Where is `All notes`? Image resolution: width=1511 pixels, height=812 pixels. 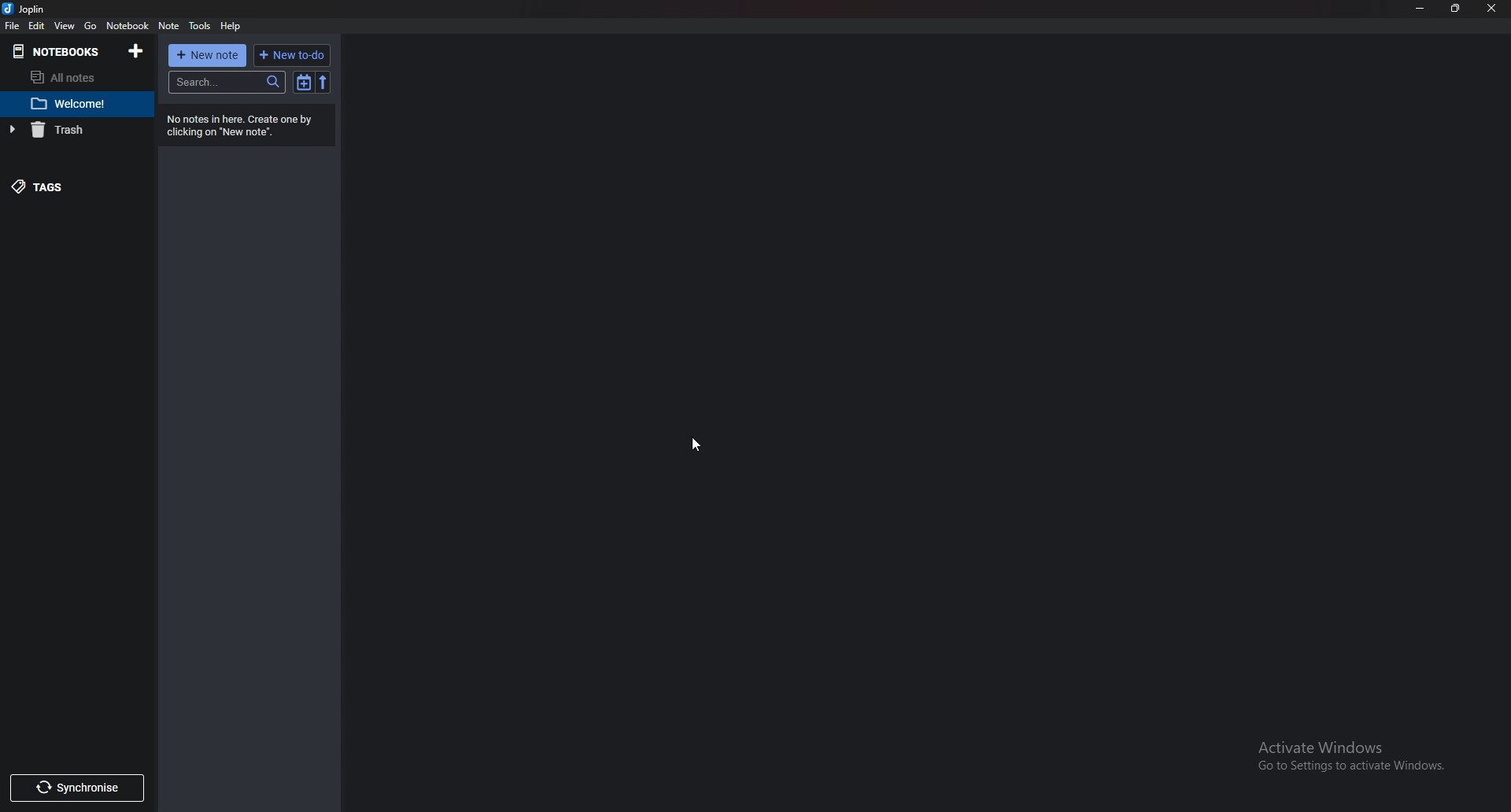
All notes is located at coordinates (69, 79).